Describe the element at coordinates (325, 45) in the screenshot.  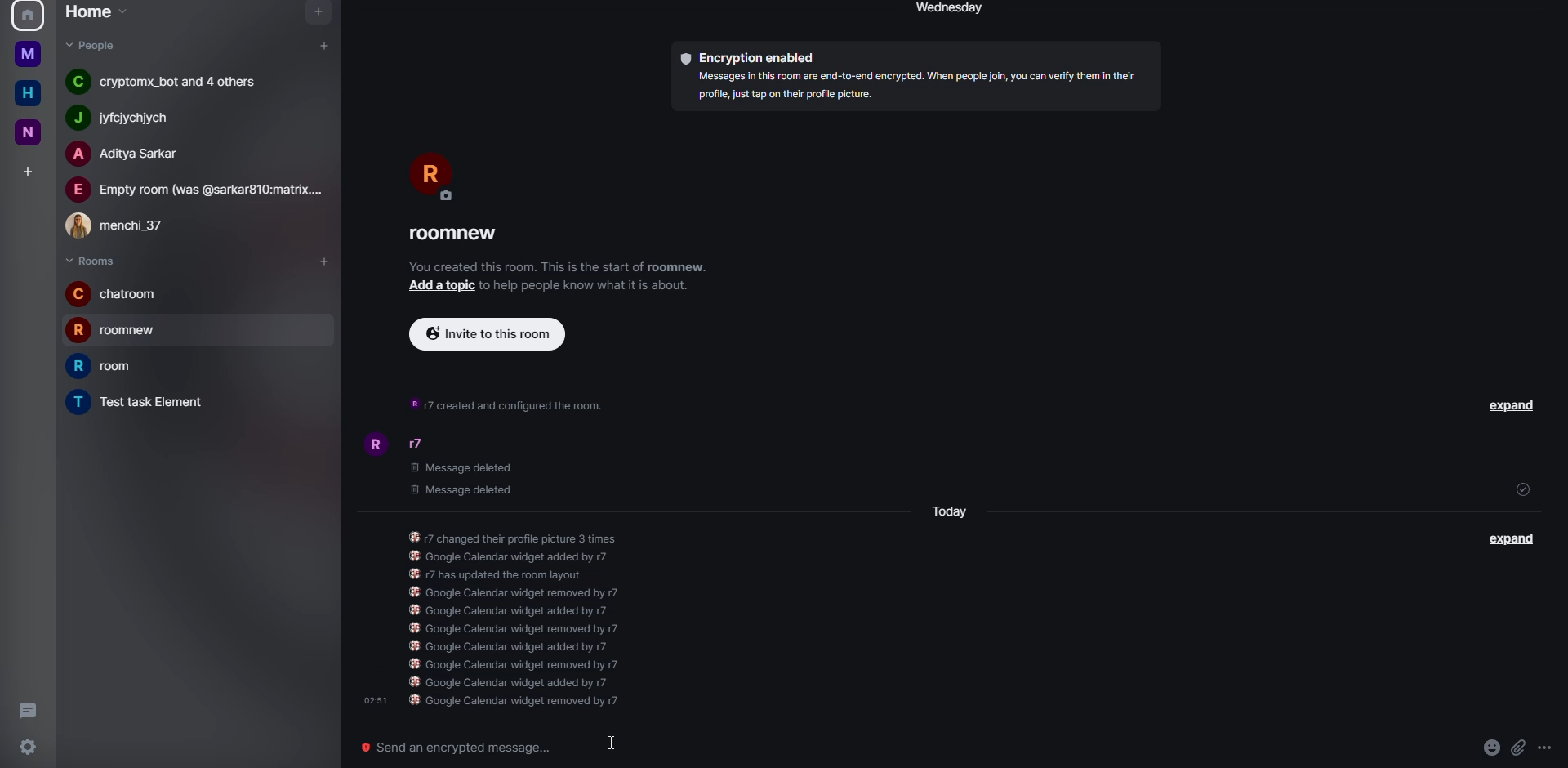
I see `add` at that location.